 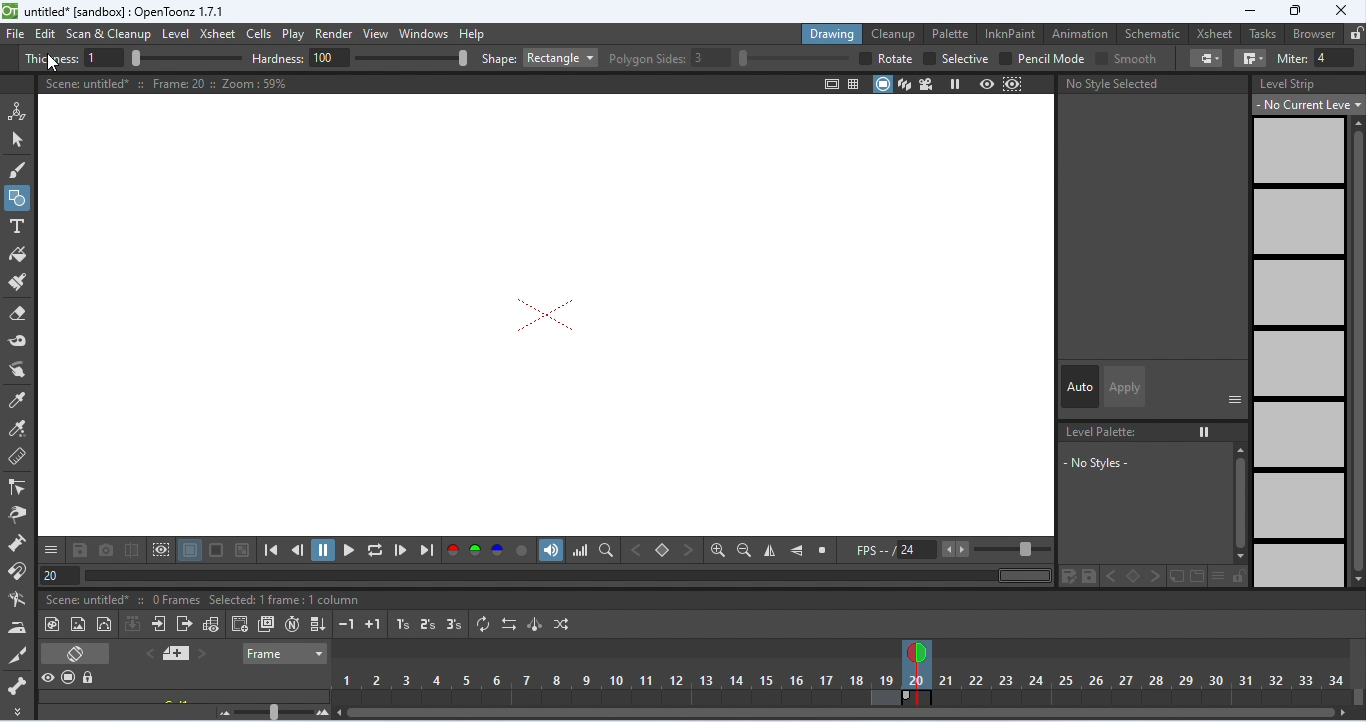 What do you see at coordinates (1299, 84) in the screenshot?
I see `level strip` at bounding box center [1299, 84].